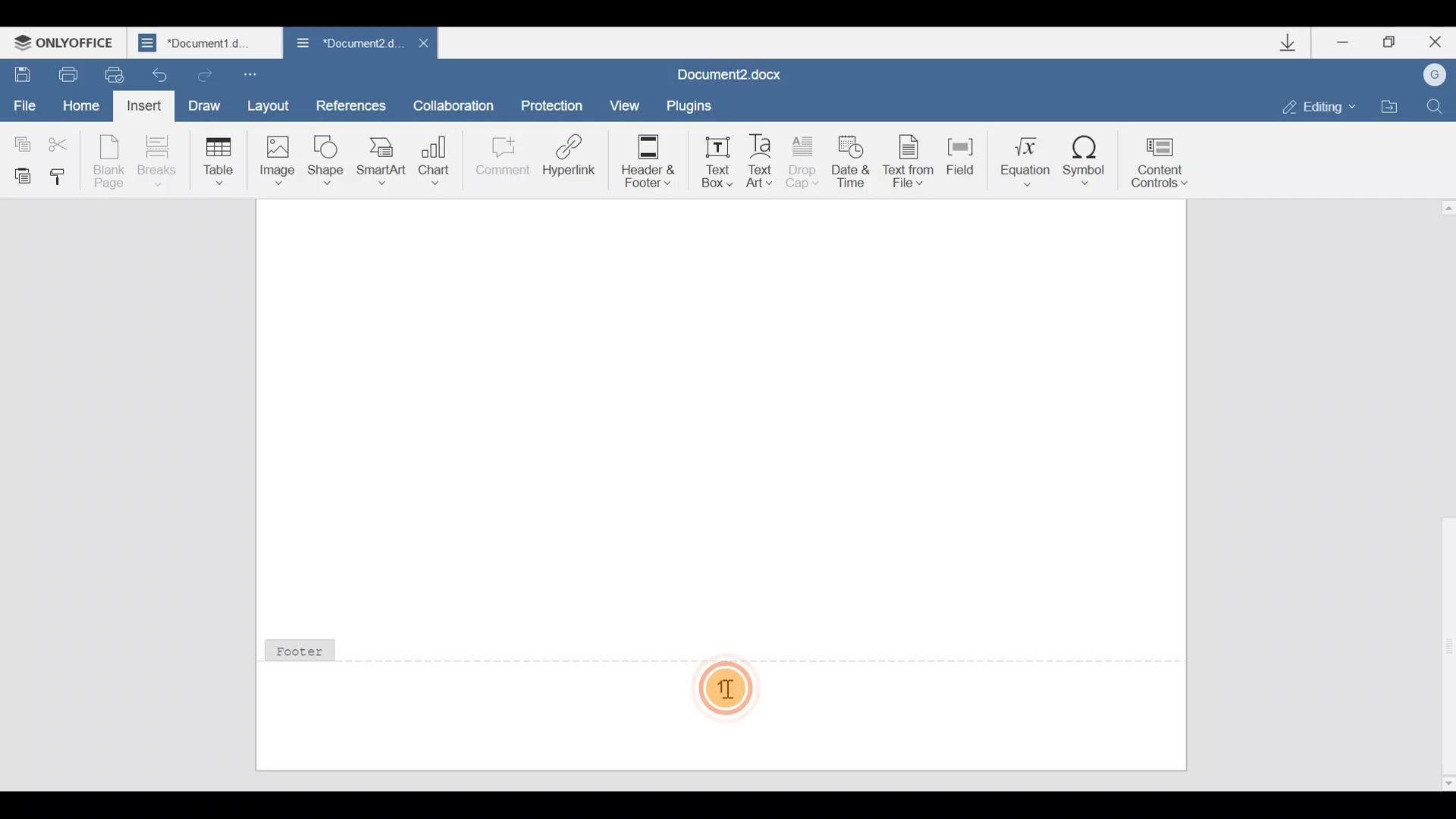  I want to click on Customize quick access toolbar, so click(262, 74).